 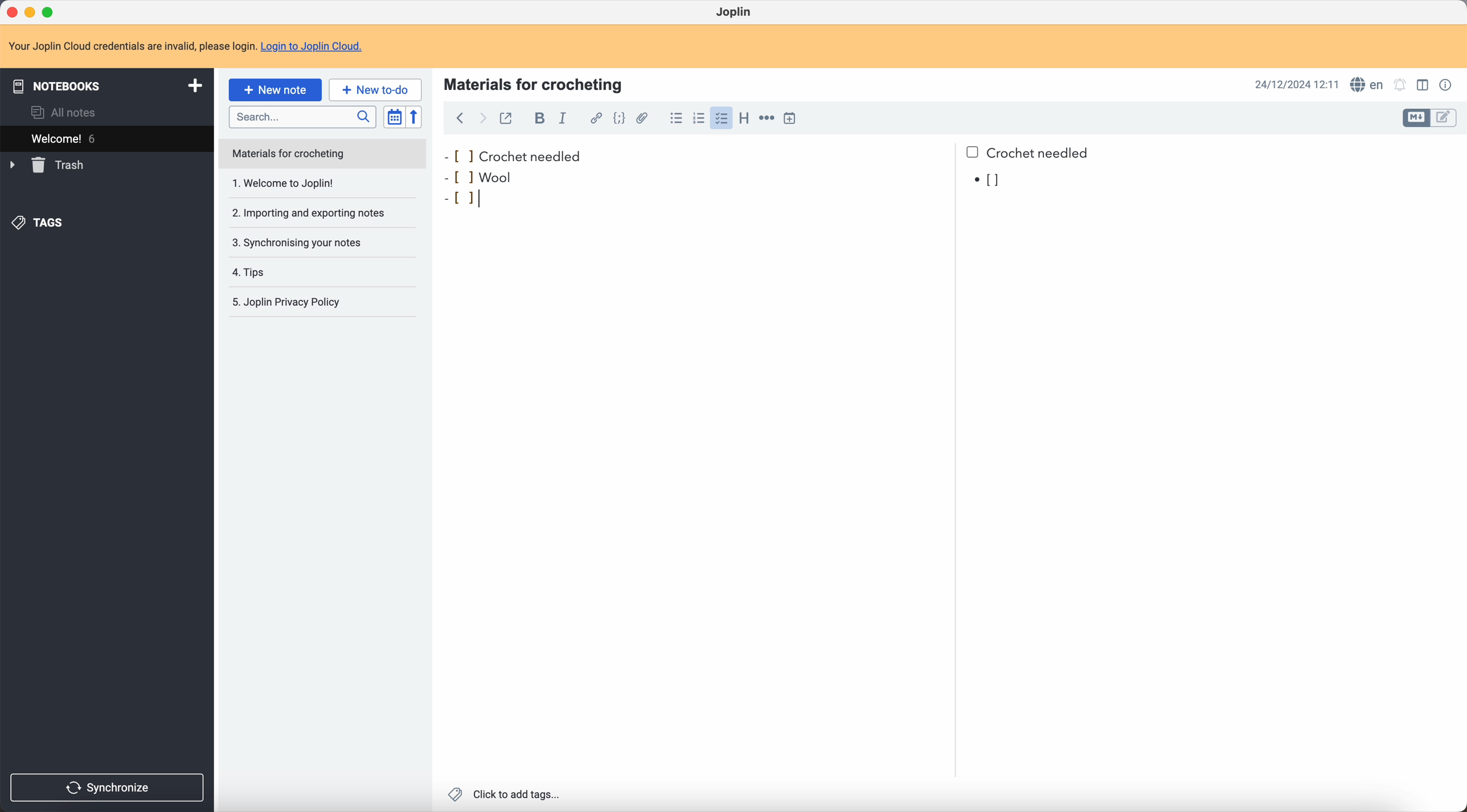 What do you see at coordinates (506, 795) in the screenshot?
I see `click to add tags` at bounding box center [506, 795].